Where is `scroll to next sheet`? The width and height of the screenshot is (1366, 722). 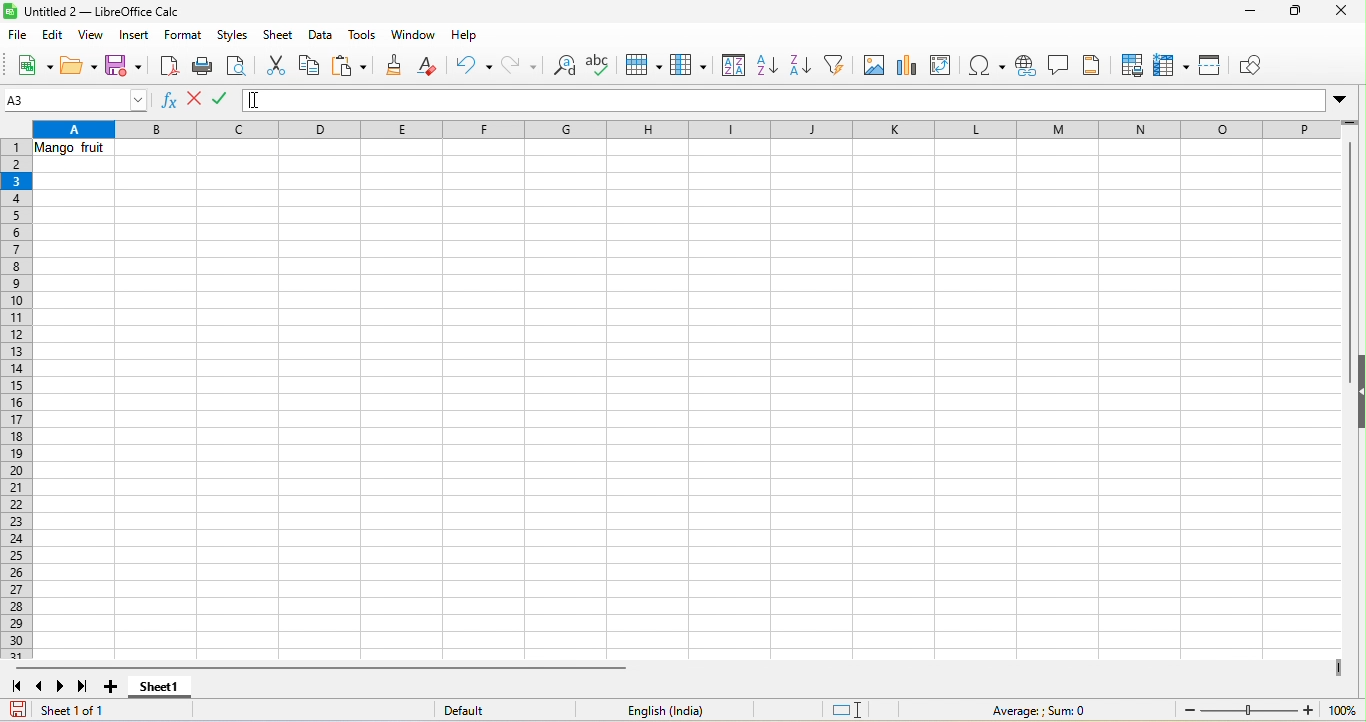
scroll to next sheet is located at coordinates (59, 687).